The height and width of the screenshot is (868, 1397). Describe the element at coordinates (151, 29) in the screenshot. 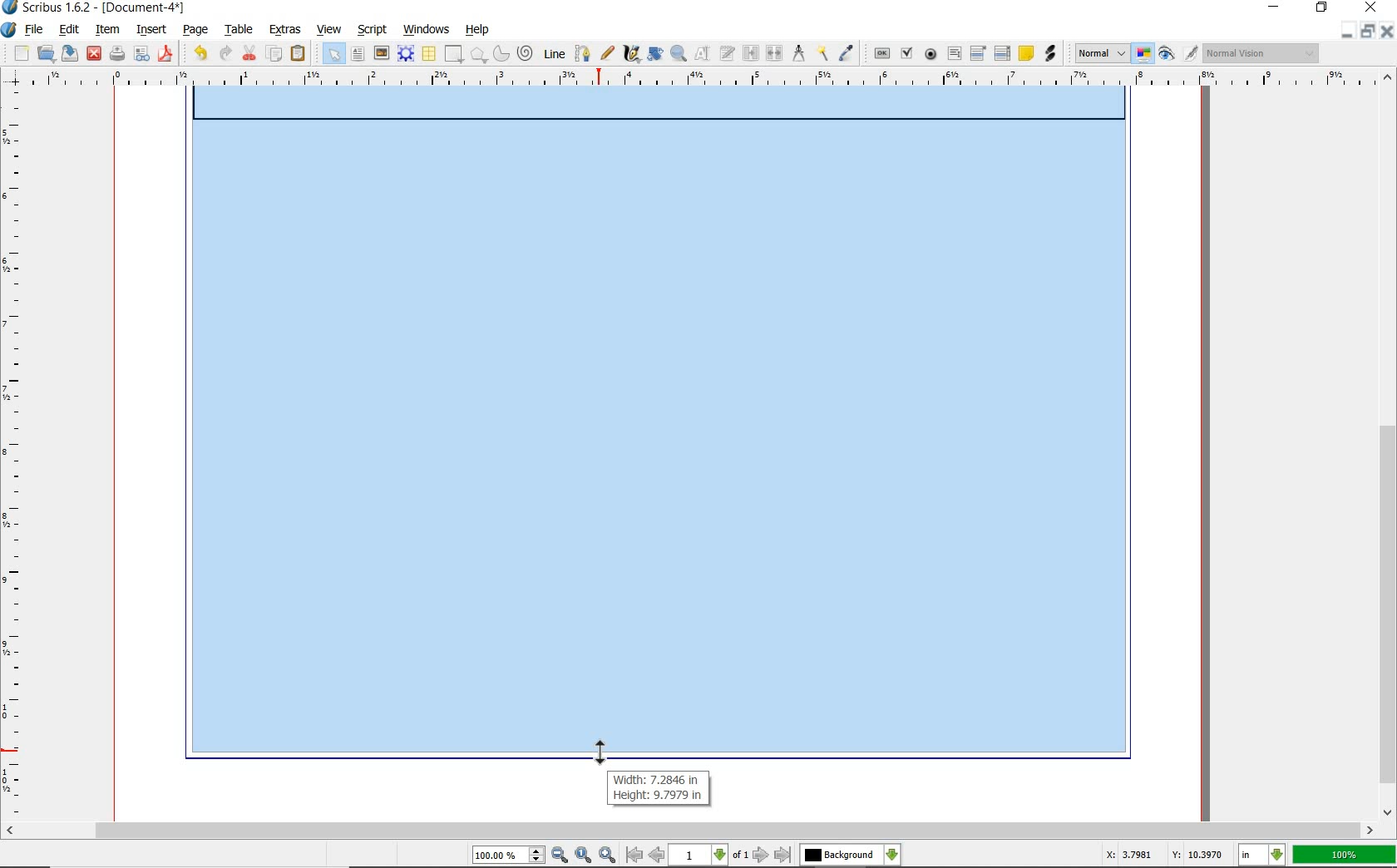

I see `insert` at that location.